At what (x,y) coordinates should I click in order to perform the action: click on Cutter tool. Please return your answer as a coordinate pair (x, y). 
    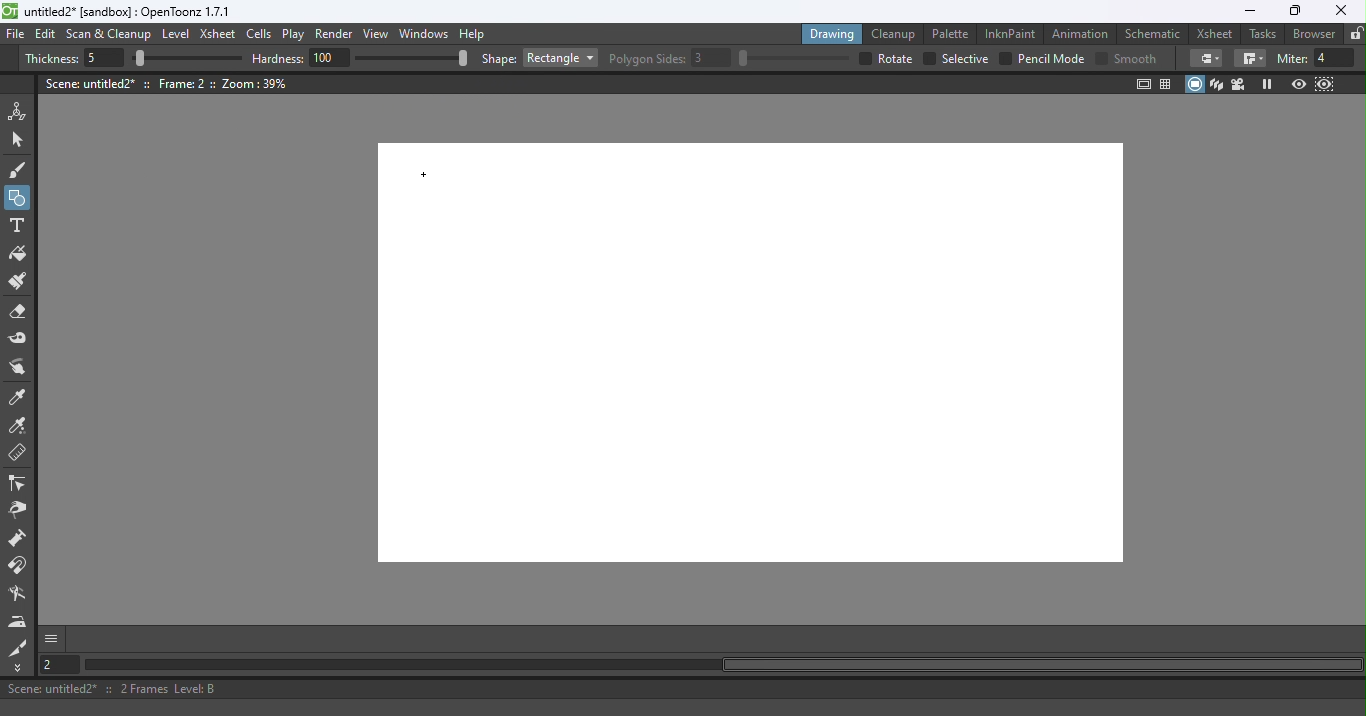
    Looking at the image, I should click on (18, 647).